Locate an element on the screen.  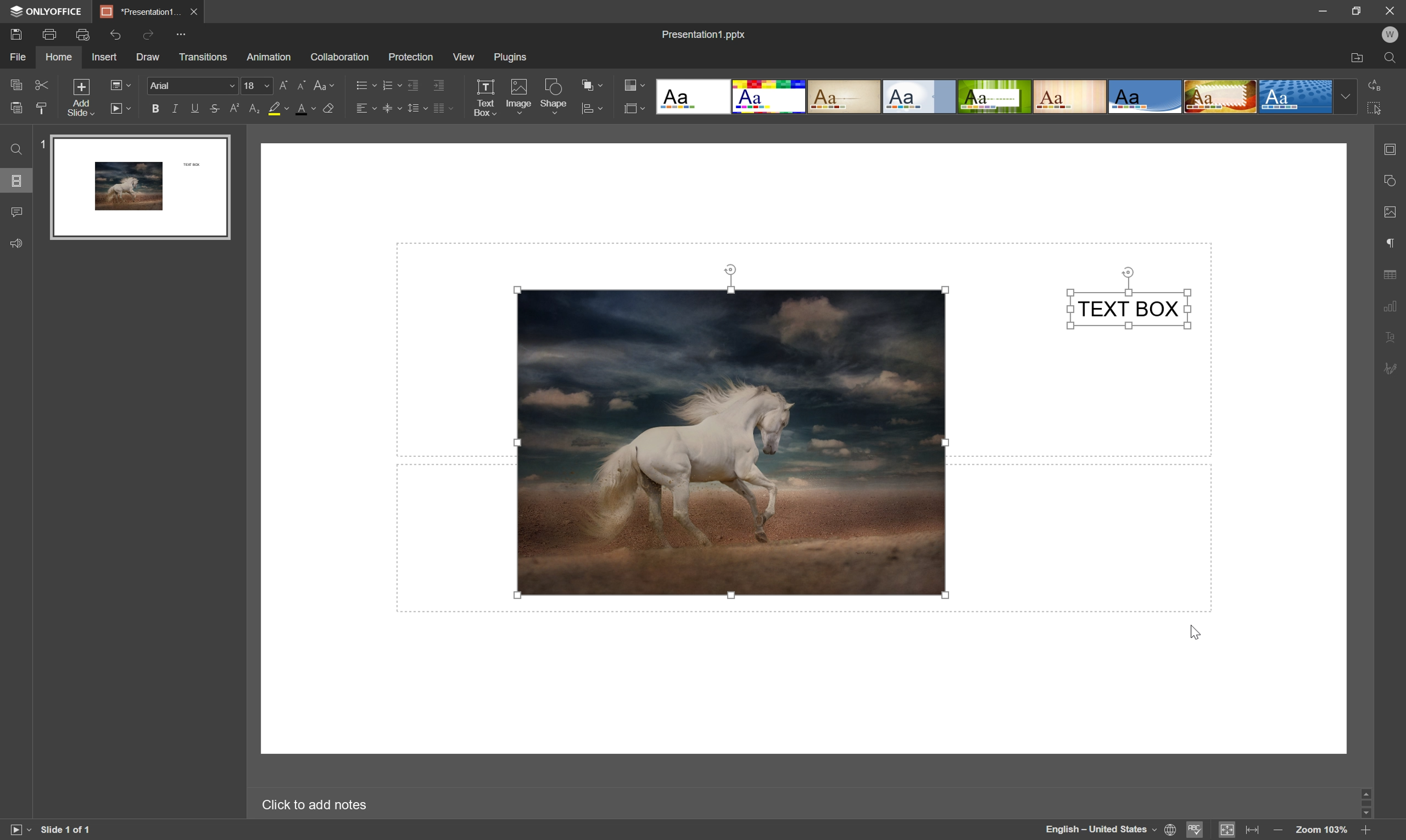
image is located at coordinates (518, 95).